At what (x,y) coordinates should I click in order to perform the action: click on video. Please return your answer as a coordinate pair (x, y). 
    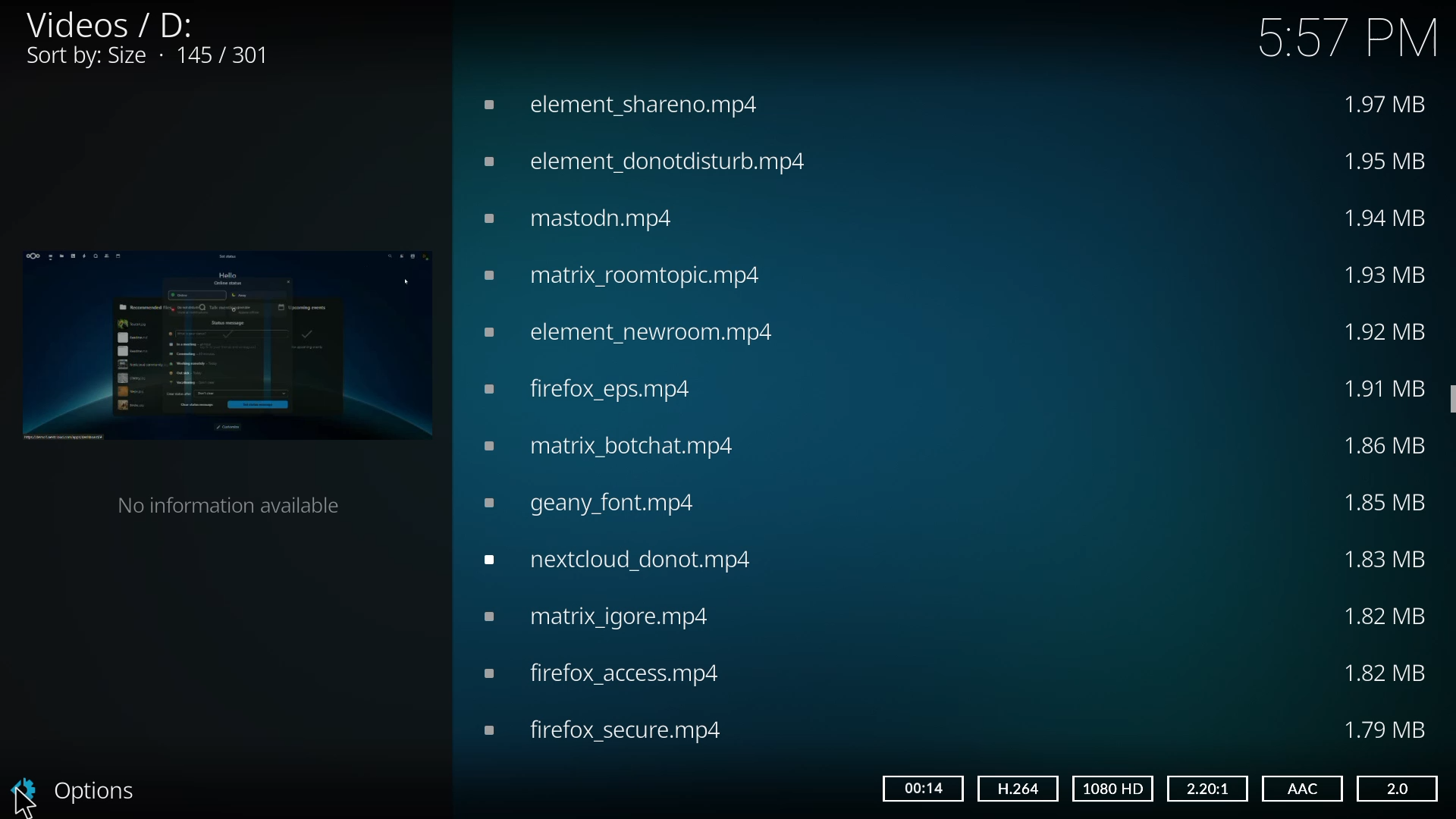
    Looking at the image, I should click on (591, 389).